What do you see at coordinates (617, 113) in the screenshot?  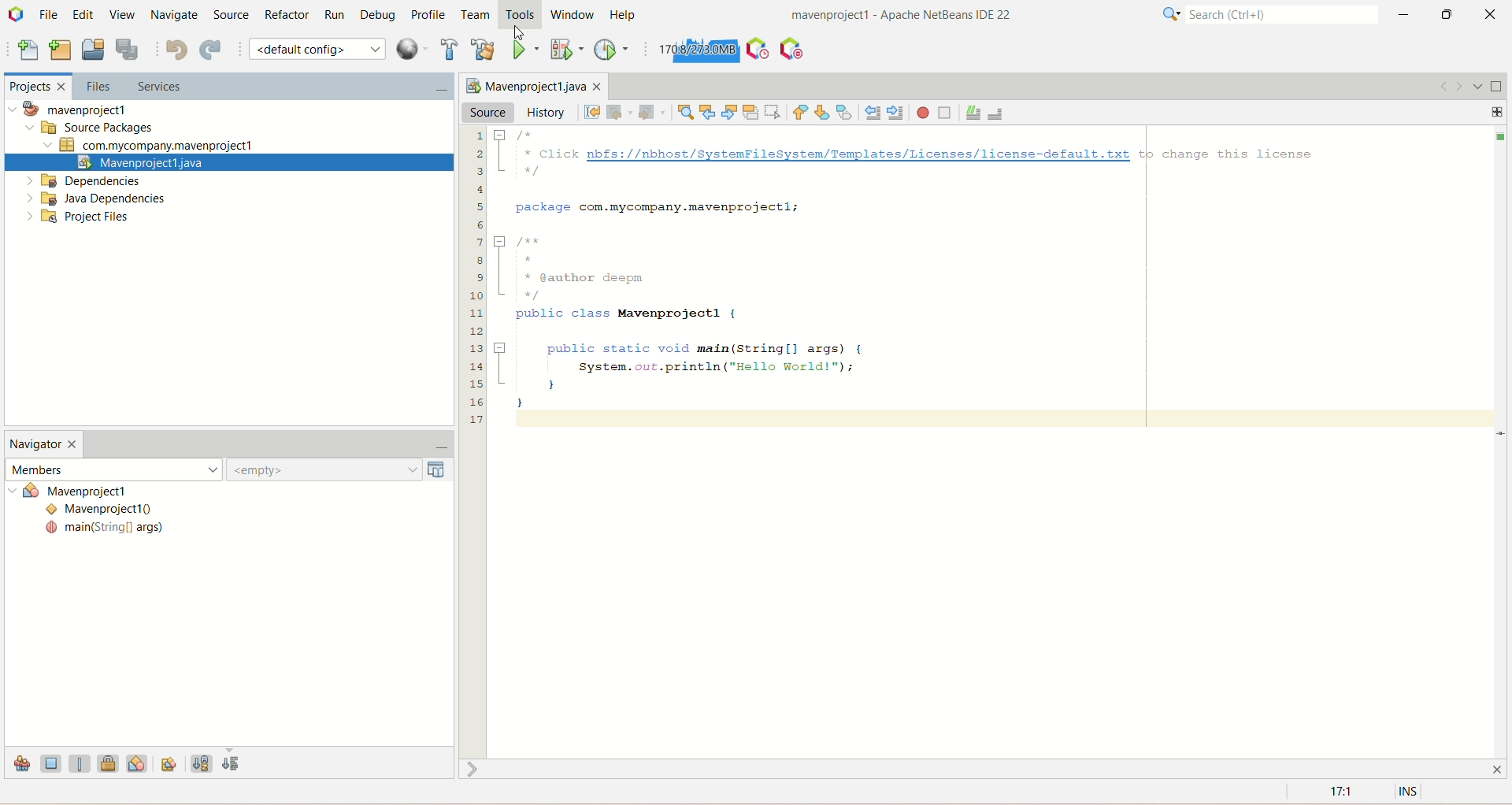 I see `back` at bounding box center [617, 113].